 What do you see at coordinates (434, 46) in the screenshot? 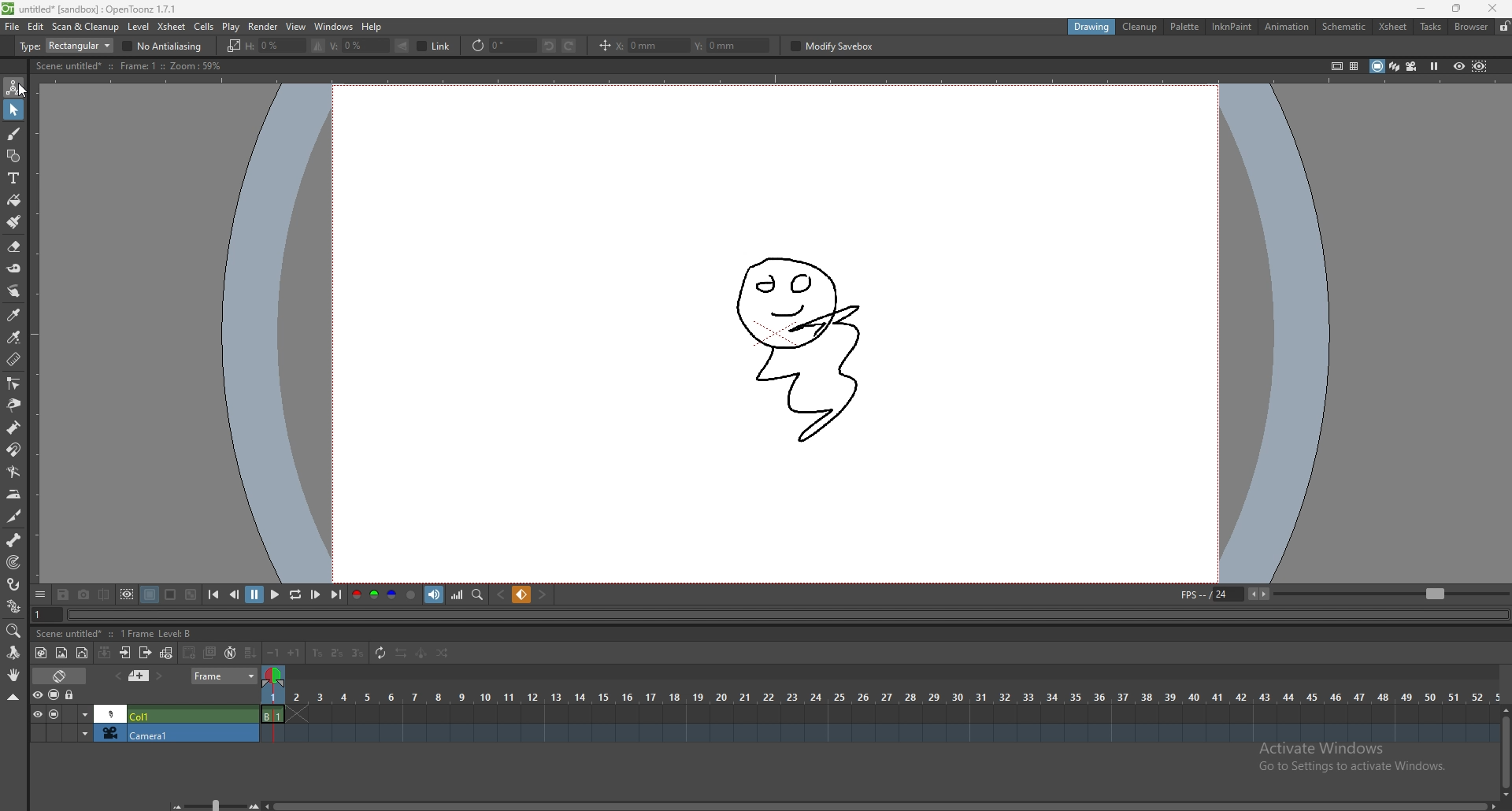
I see `link` at bounding box center [434, 46].